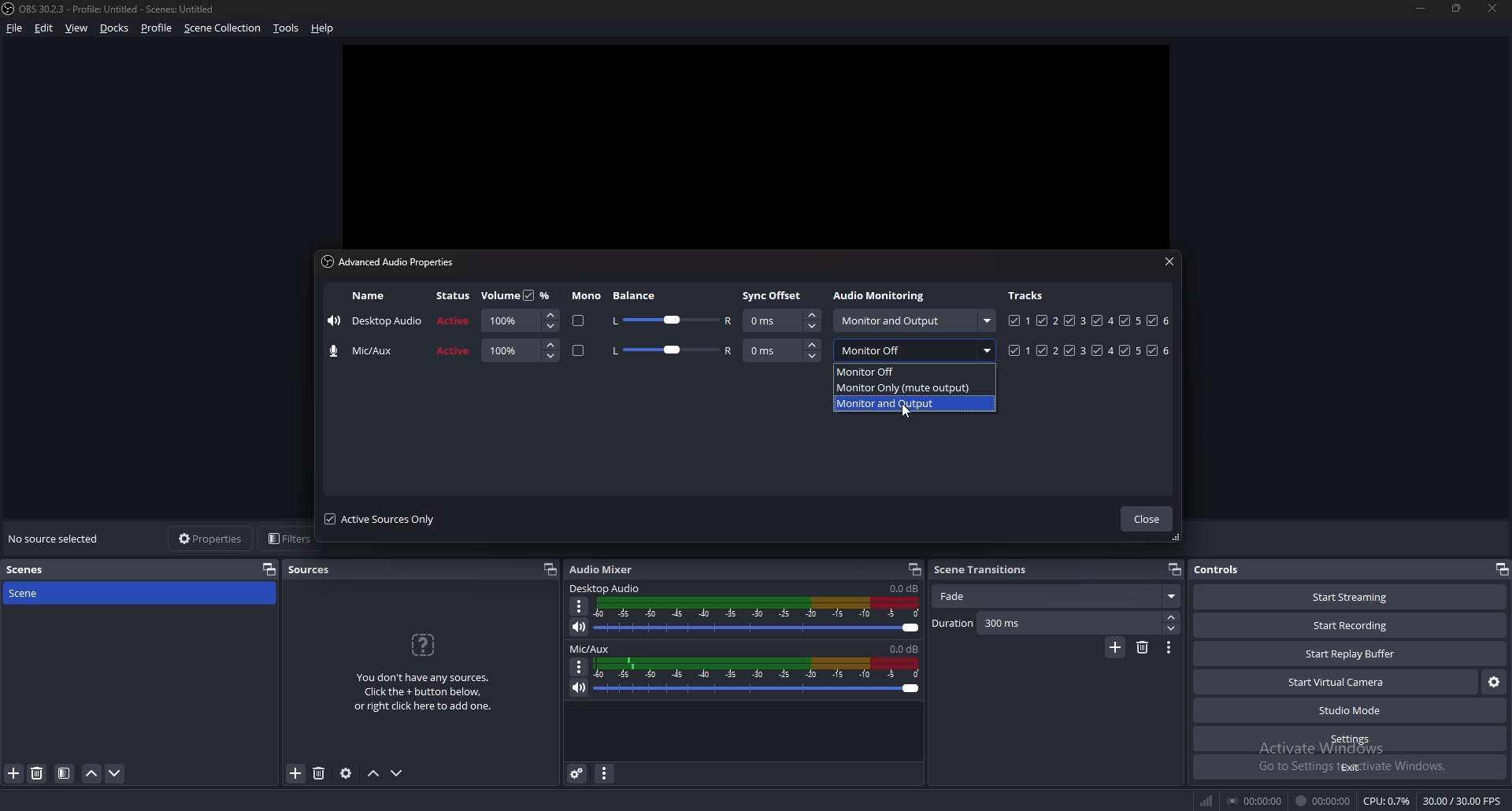  I want to click on sync offset adjust, so click(781, 320).